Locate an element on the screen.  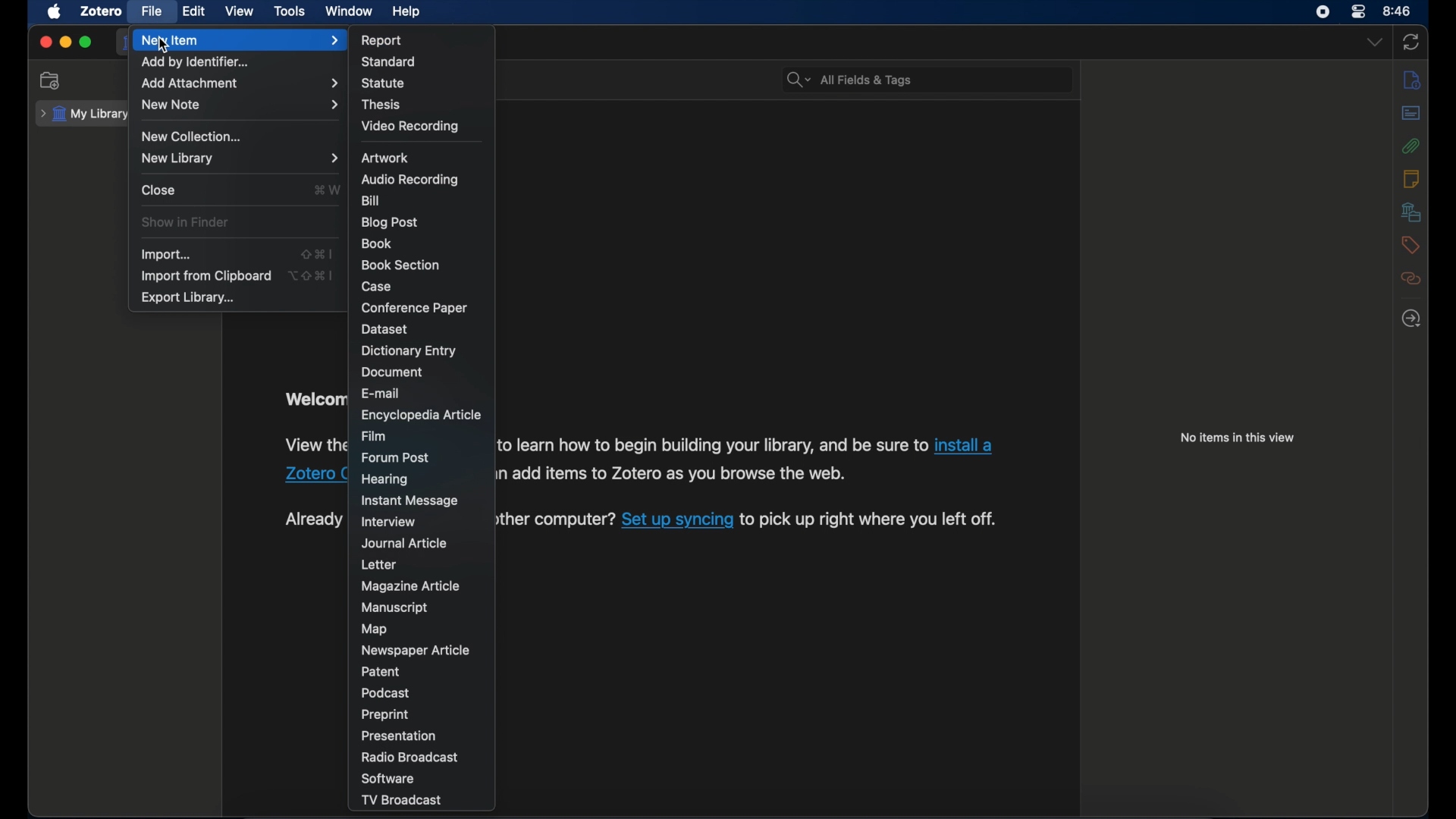
journal article is located at coordinates (404, 544).